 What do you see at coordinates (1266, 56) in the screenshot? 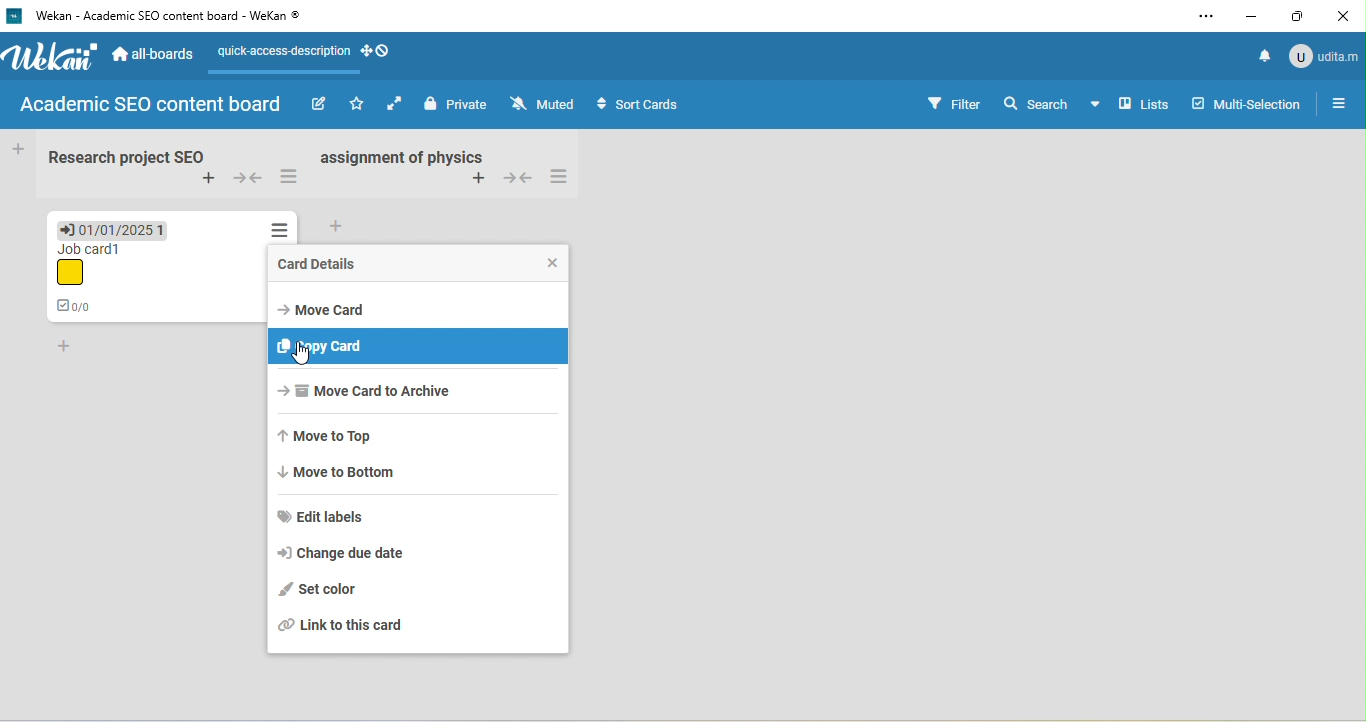
I see `notification` at bounding box center [1266, 56].